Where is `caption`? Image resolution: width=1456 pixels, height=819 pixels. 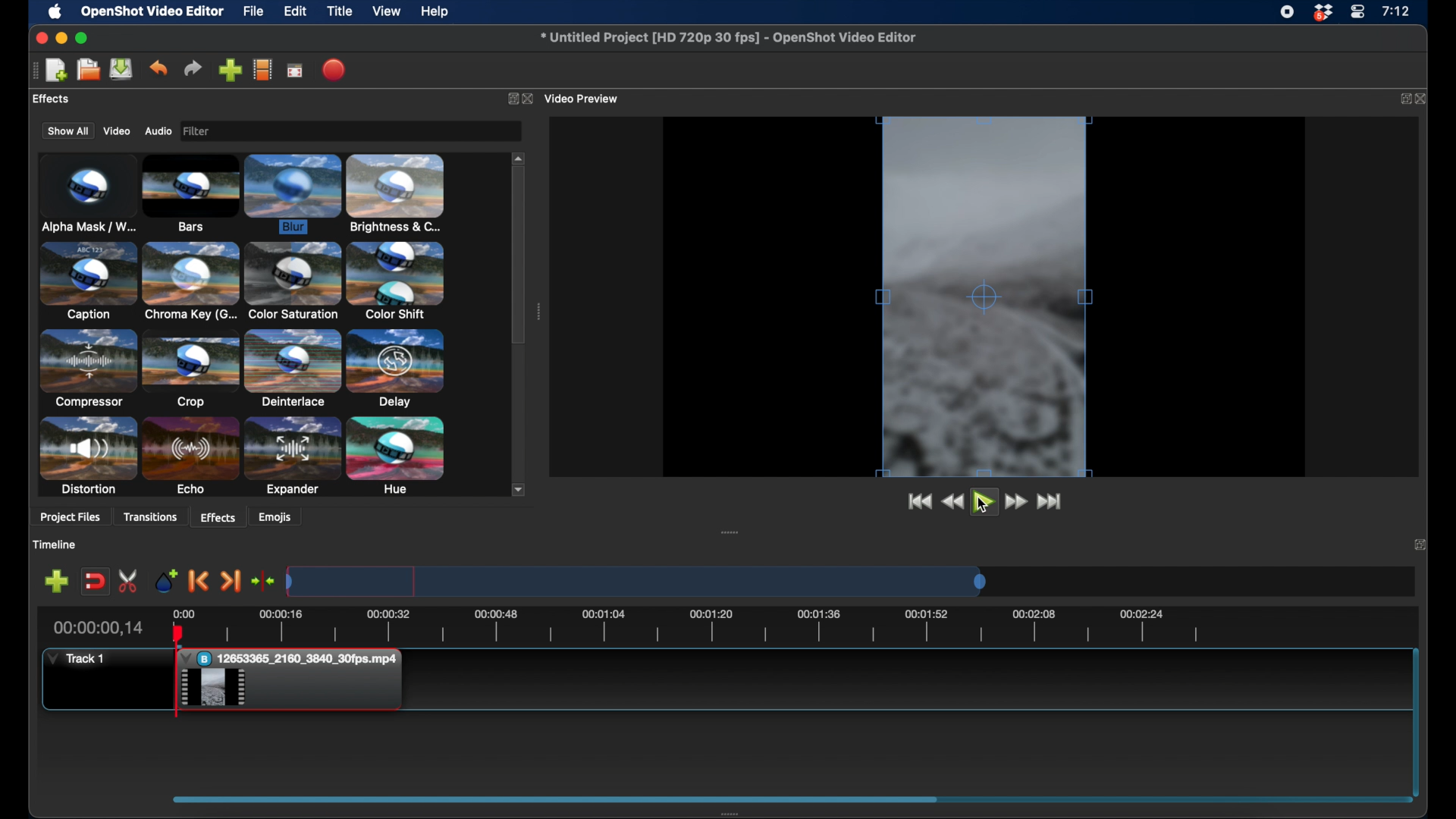
caption is located at coordinates (87, 281).